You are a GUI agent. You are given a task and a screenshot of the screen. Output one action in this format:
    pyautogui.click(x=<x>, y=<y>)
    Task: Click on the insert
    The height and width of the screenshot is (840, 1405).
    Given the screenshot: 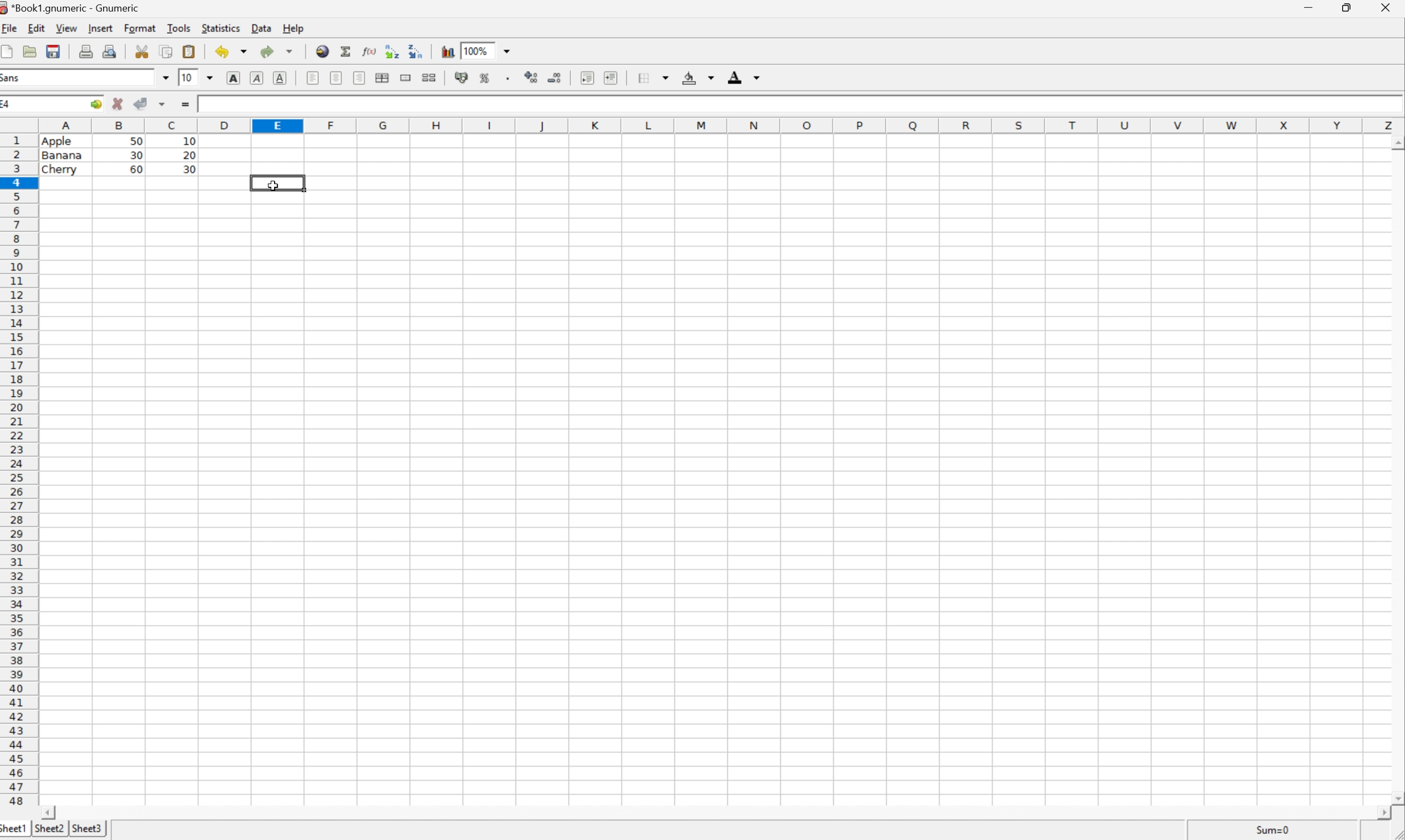 What is the action you would take?
    pyautogui.click(x=103, y=28)
    